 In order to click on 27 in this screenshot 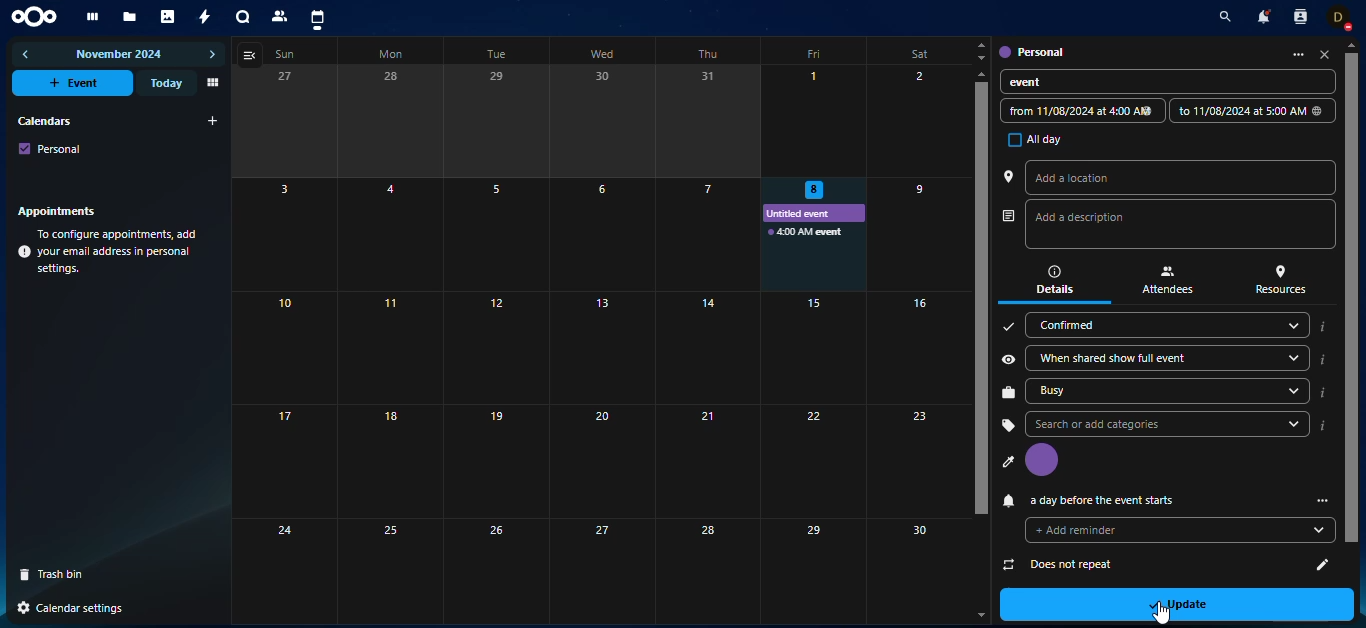, I will do `click(602, 570)`.